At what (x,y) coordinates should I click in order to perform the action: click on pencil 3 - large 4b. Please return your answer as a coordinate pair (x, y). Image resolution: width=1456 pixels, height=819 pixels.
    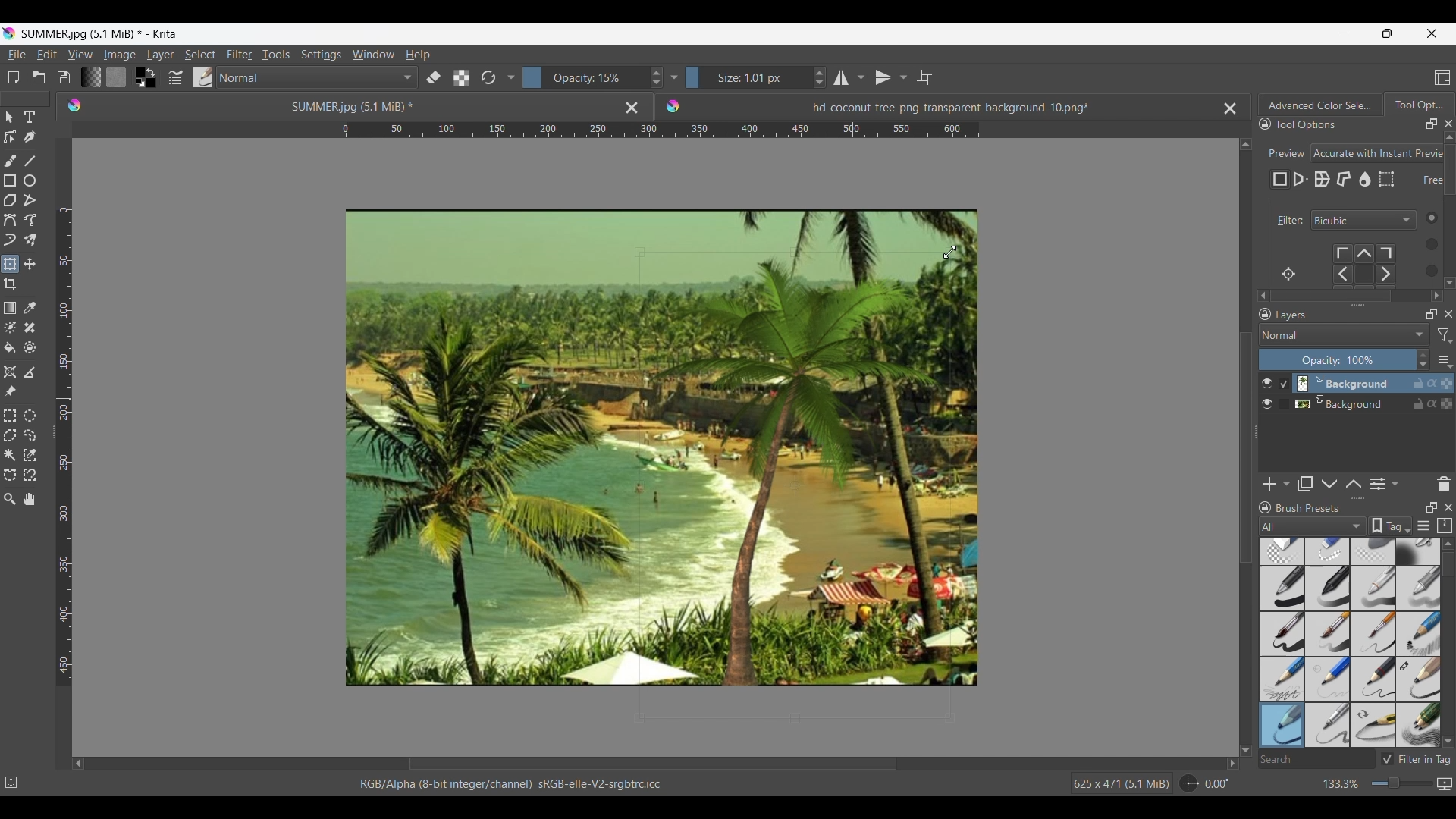
    Looking at the image, I should click on (1419, 680).